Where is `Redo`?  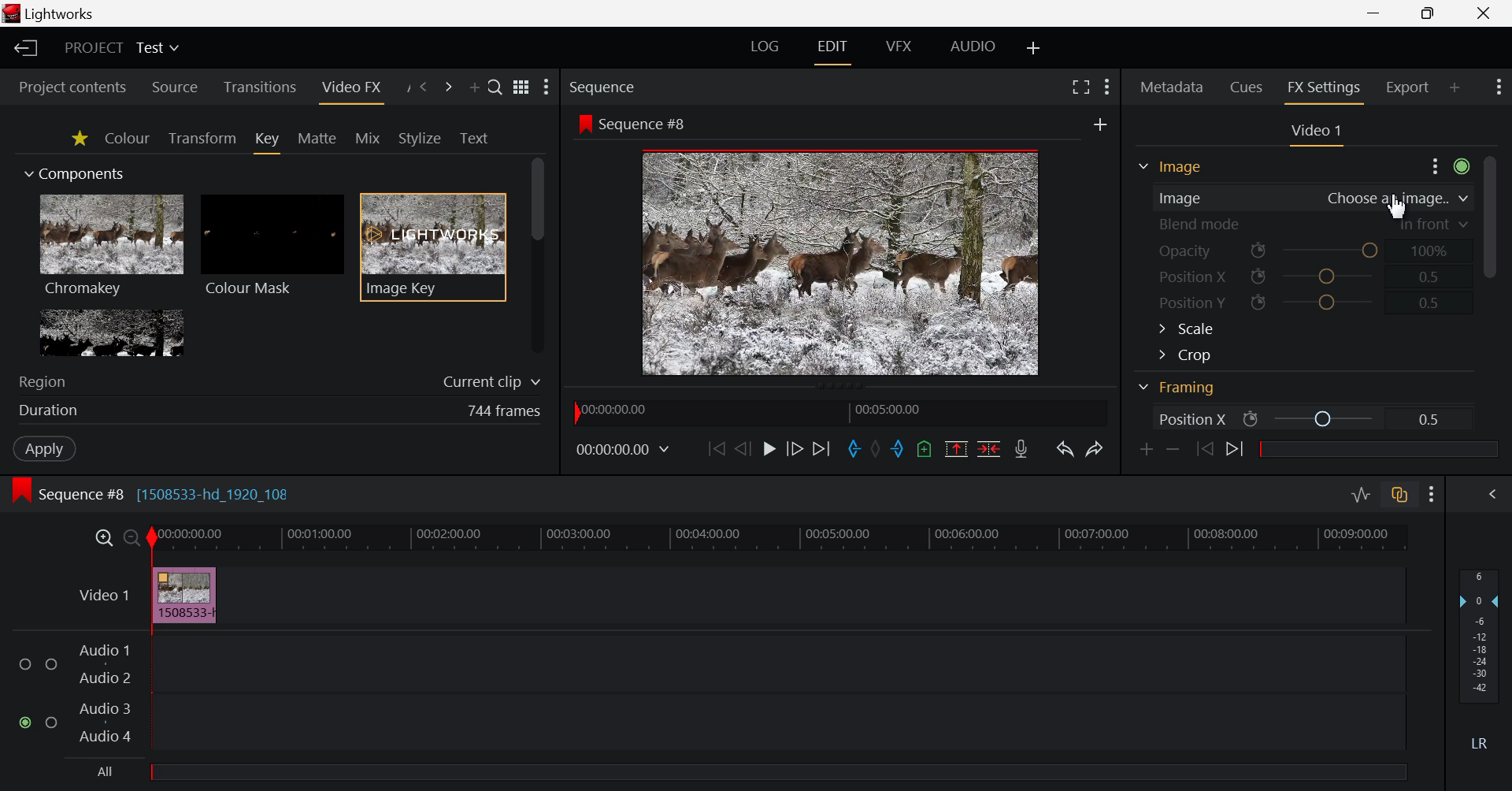 Redo is located at coordinates (1095, 450).